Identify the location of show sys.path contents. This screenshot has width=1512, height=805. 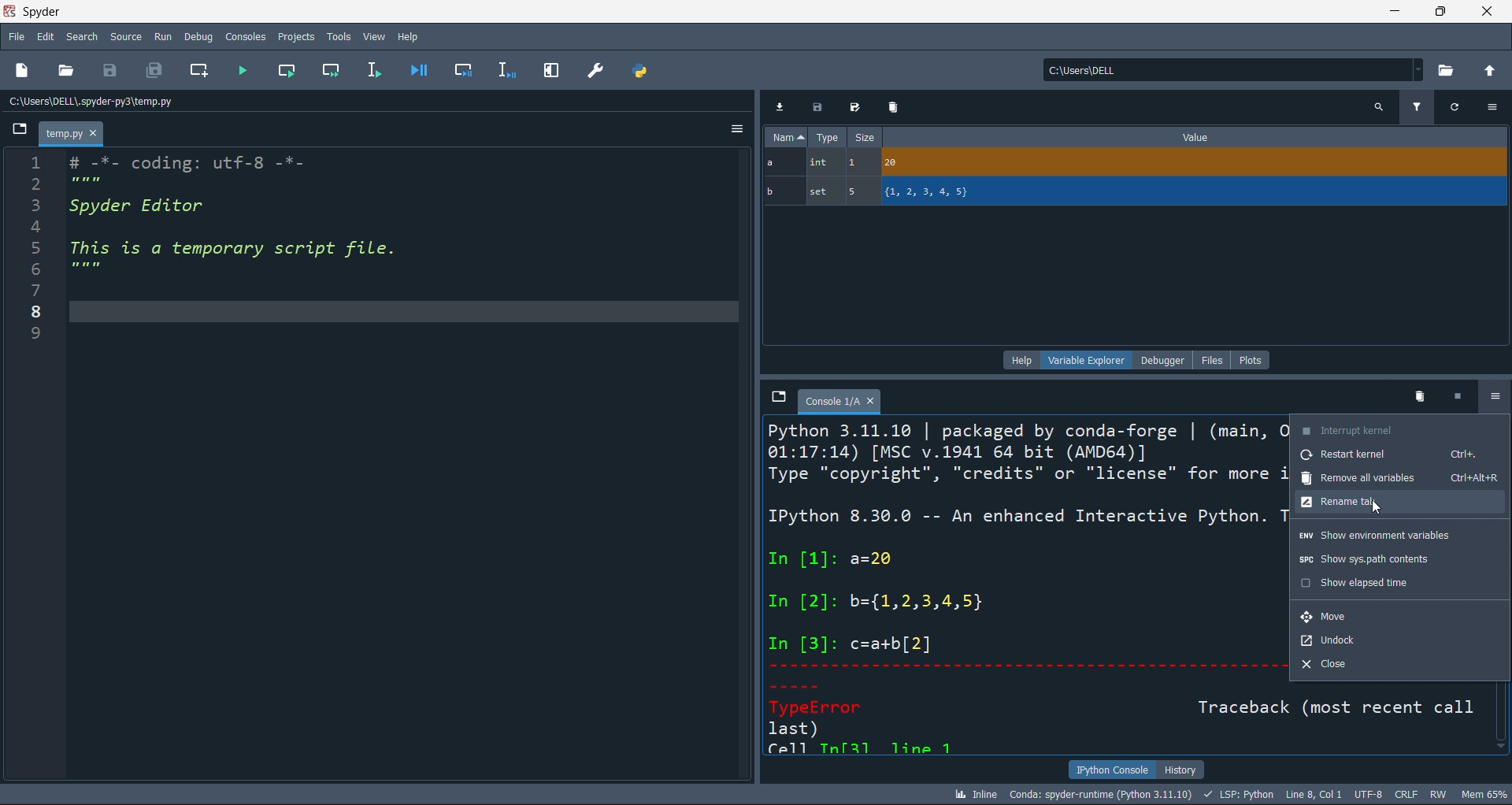
(1399, 560).